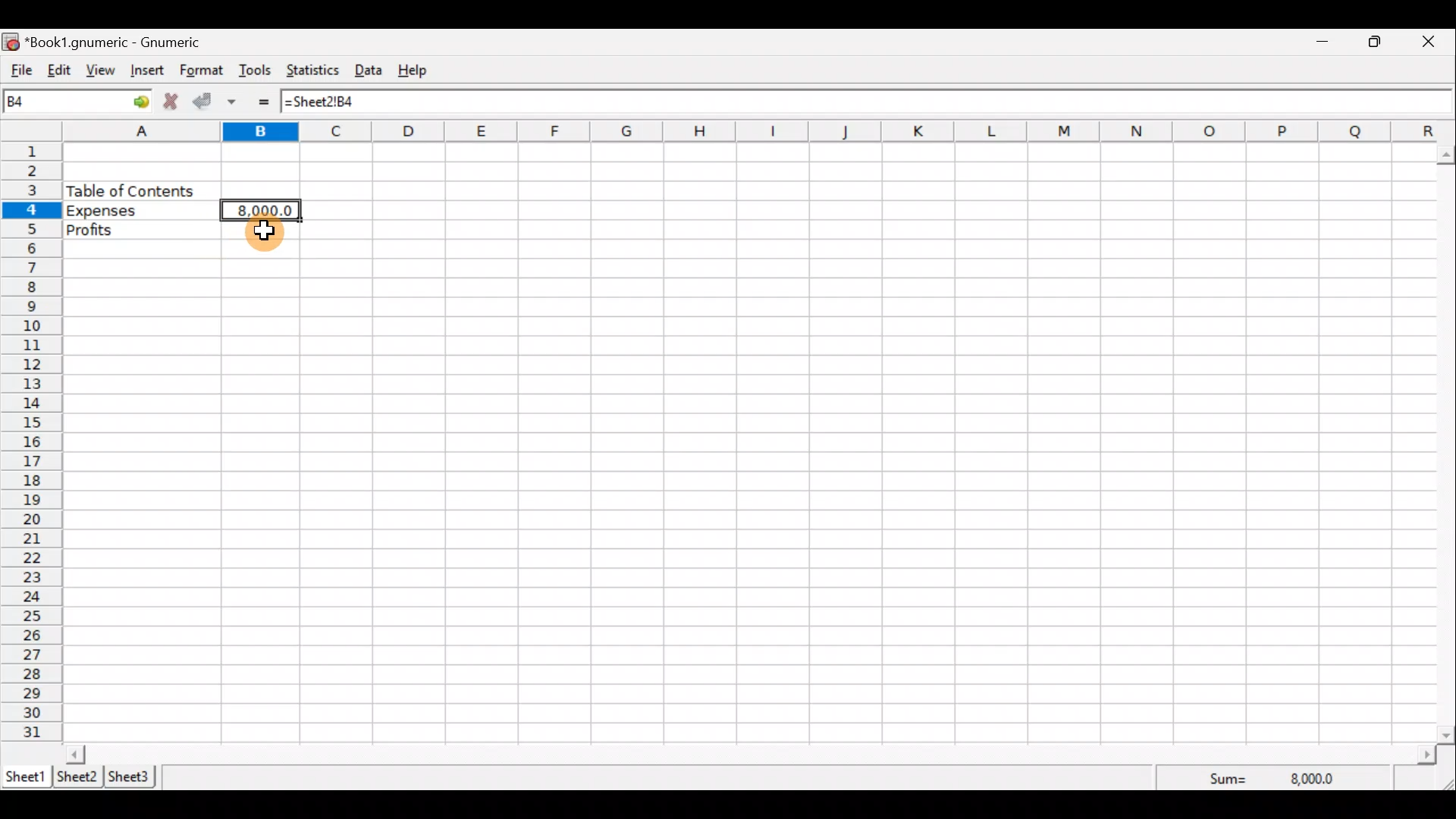  I want to click on icon, so click(12, 42).